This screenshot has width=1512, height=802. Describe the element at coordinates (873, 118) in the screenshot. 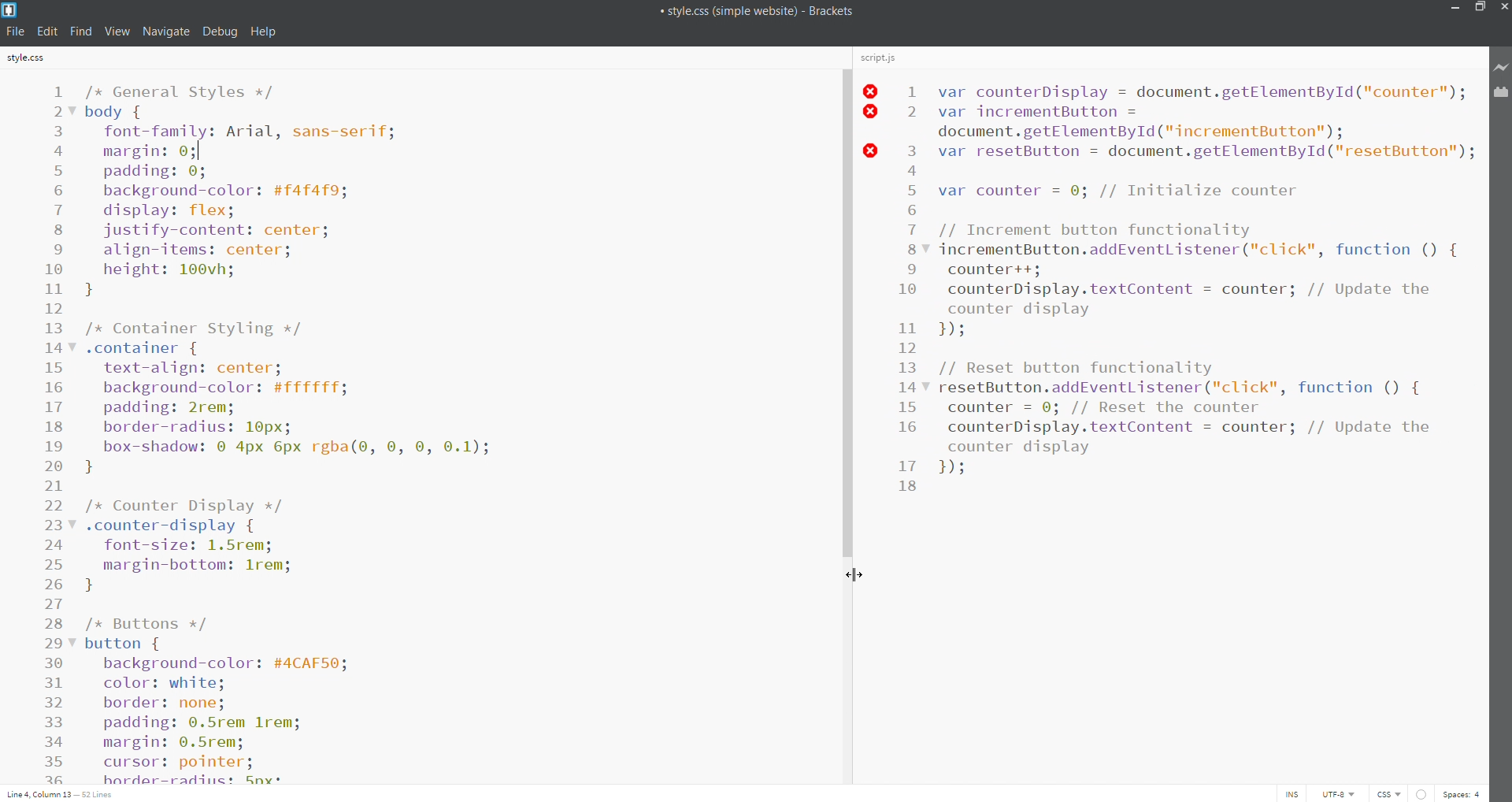

I see `line error status` at that location.